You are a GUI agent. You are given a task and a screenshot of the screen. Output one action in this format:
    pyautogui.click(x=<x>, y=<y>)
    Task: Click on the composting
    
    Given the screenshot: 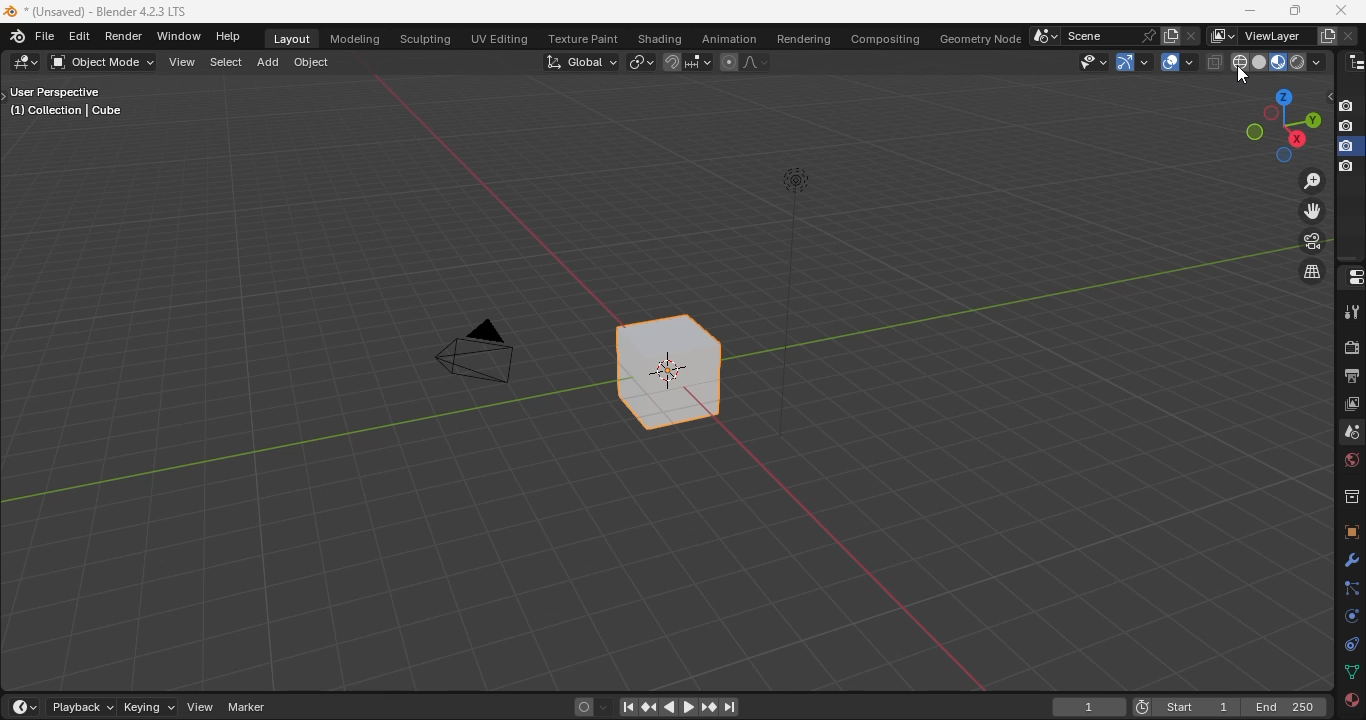 What is the action you would take?
    pyautogui.click(x=886, y=40)
    